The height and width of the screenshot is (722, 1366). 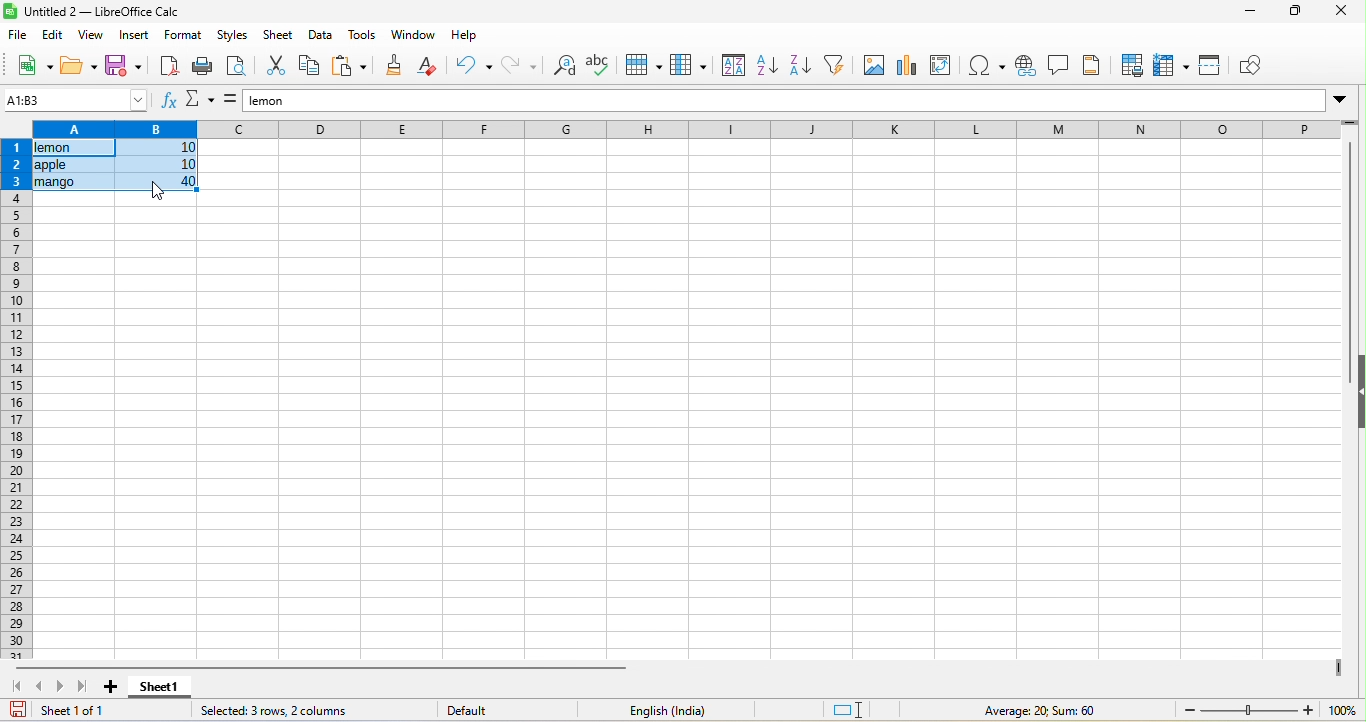 I want to click on draw function, so click(x=1255, y=66).